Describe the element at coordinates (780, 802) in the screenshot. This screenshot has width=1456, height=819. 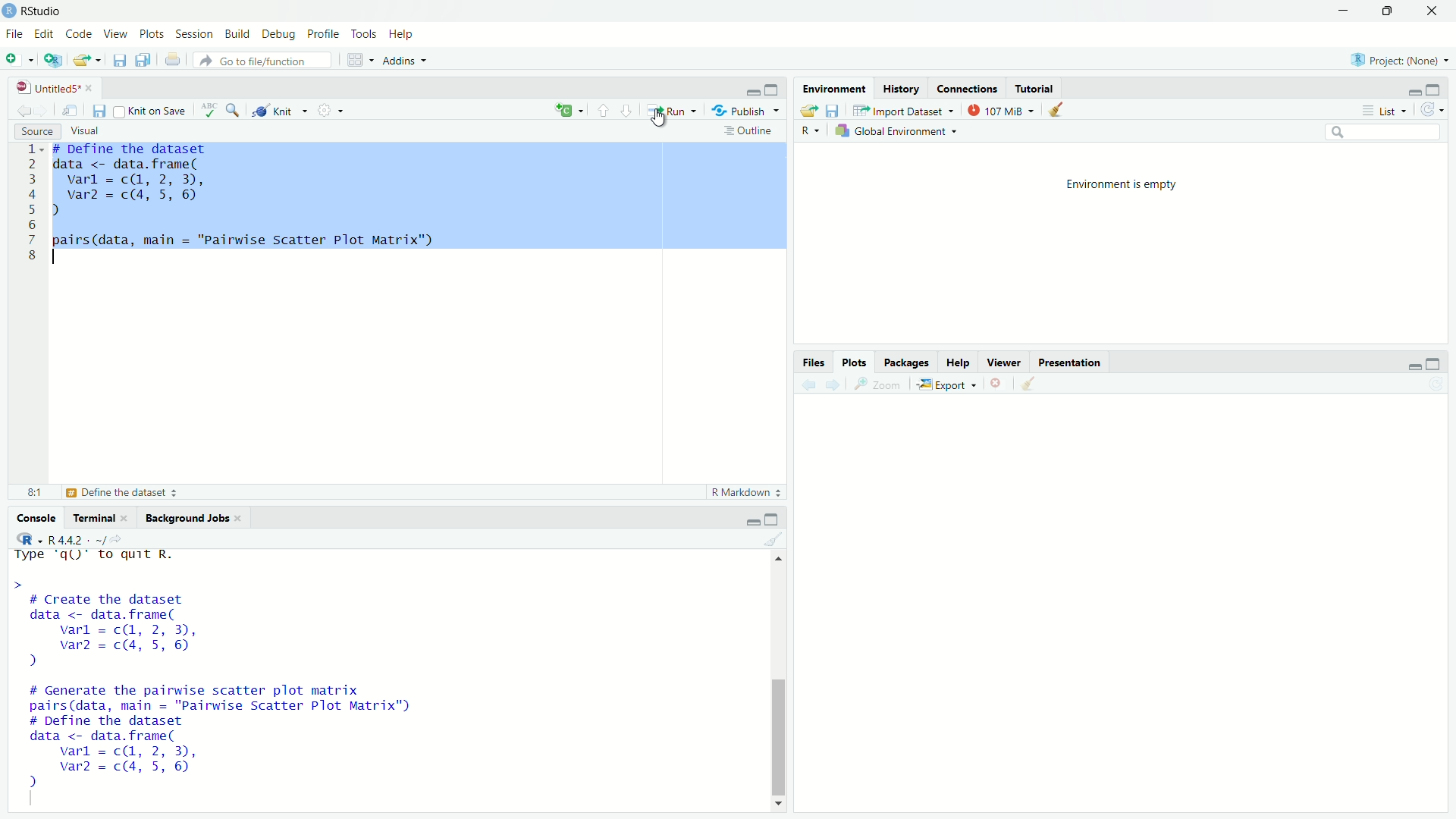
I see `Down` at that location.